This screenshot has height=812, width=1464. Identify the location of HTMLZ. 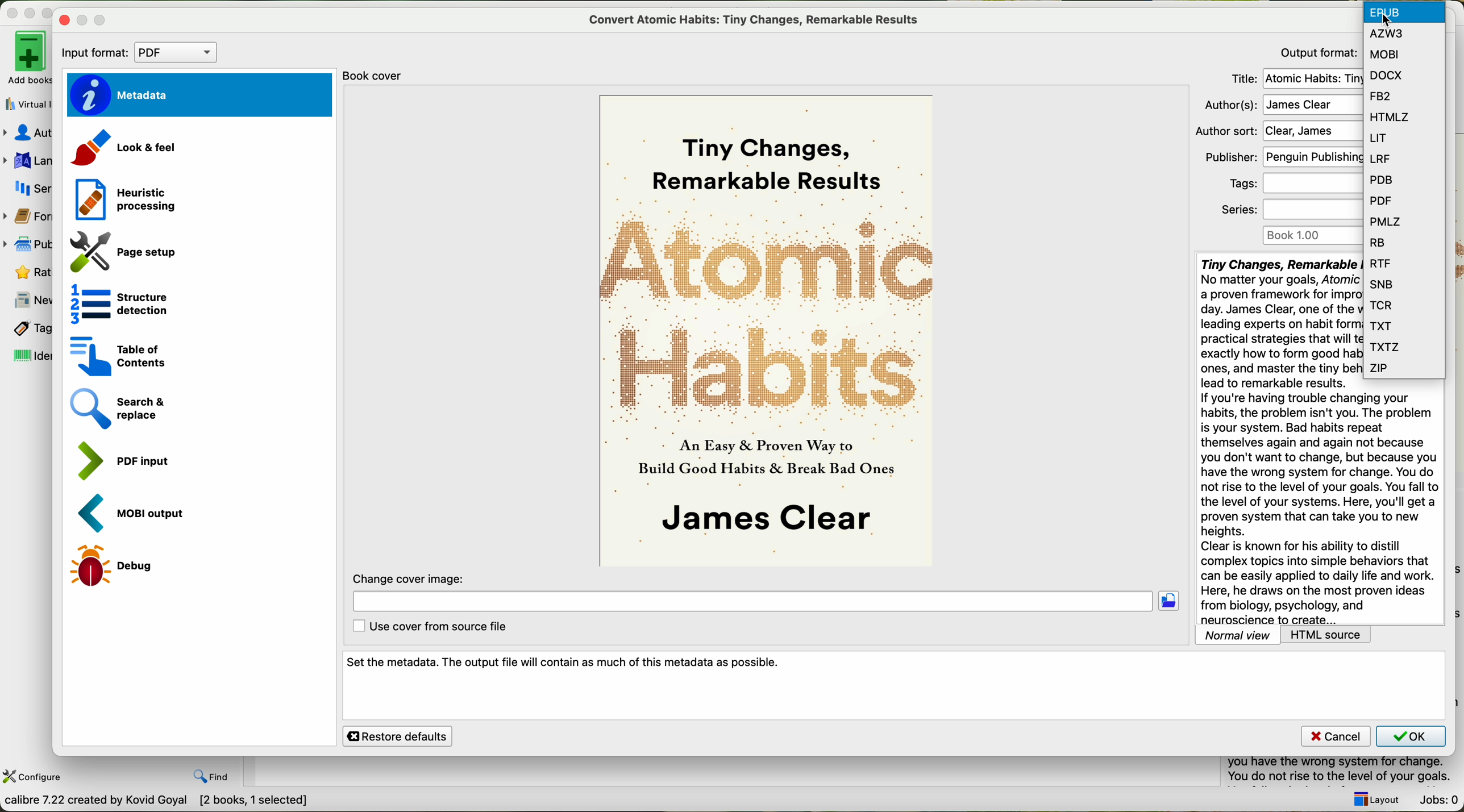
(1404, 116).